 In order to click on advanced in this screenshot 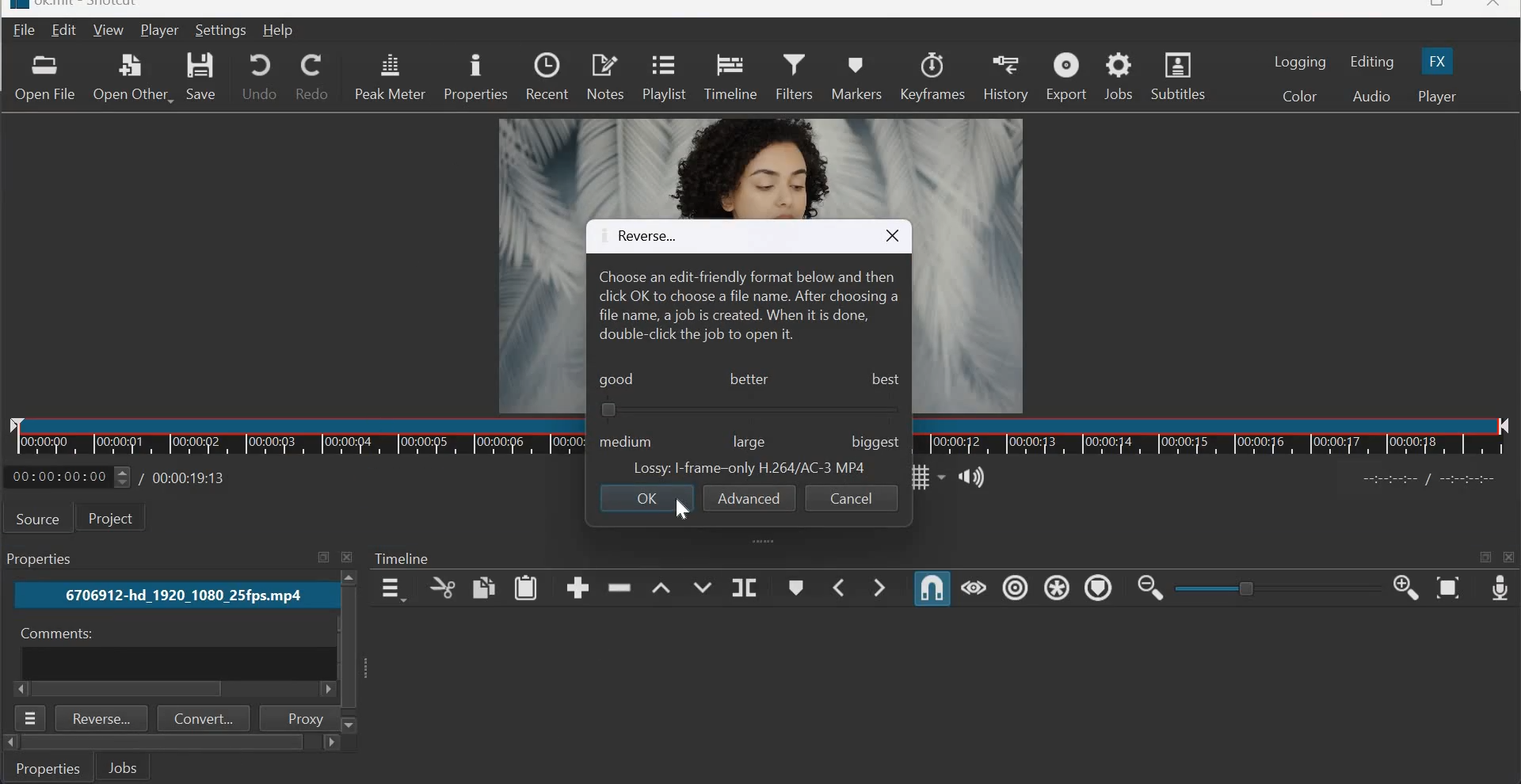, I will do `click(749, 497)`.